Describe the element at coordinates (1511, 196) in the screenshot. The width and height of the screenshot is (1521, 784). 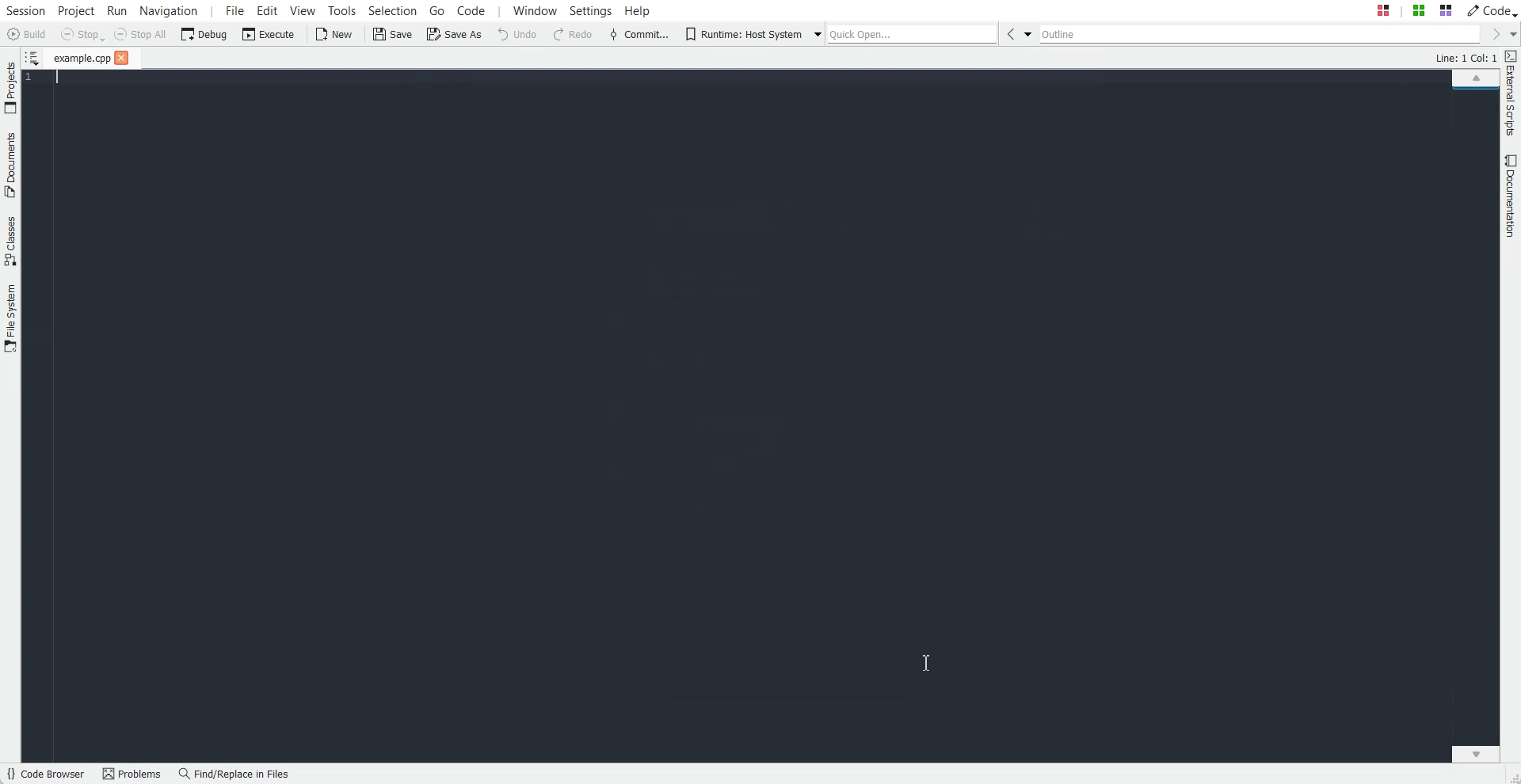
I see `Documentation` at that location.